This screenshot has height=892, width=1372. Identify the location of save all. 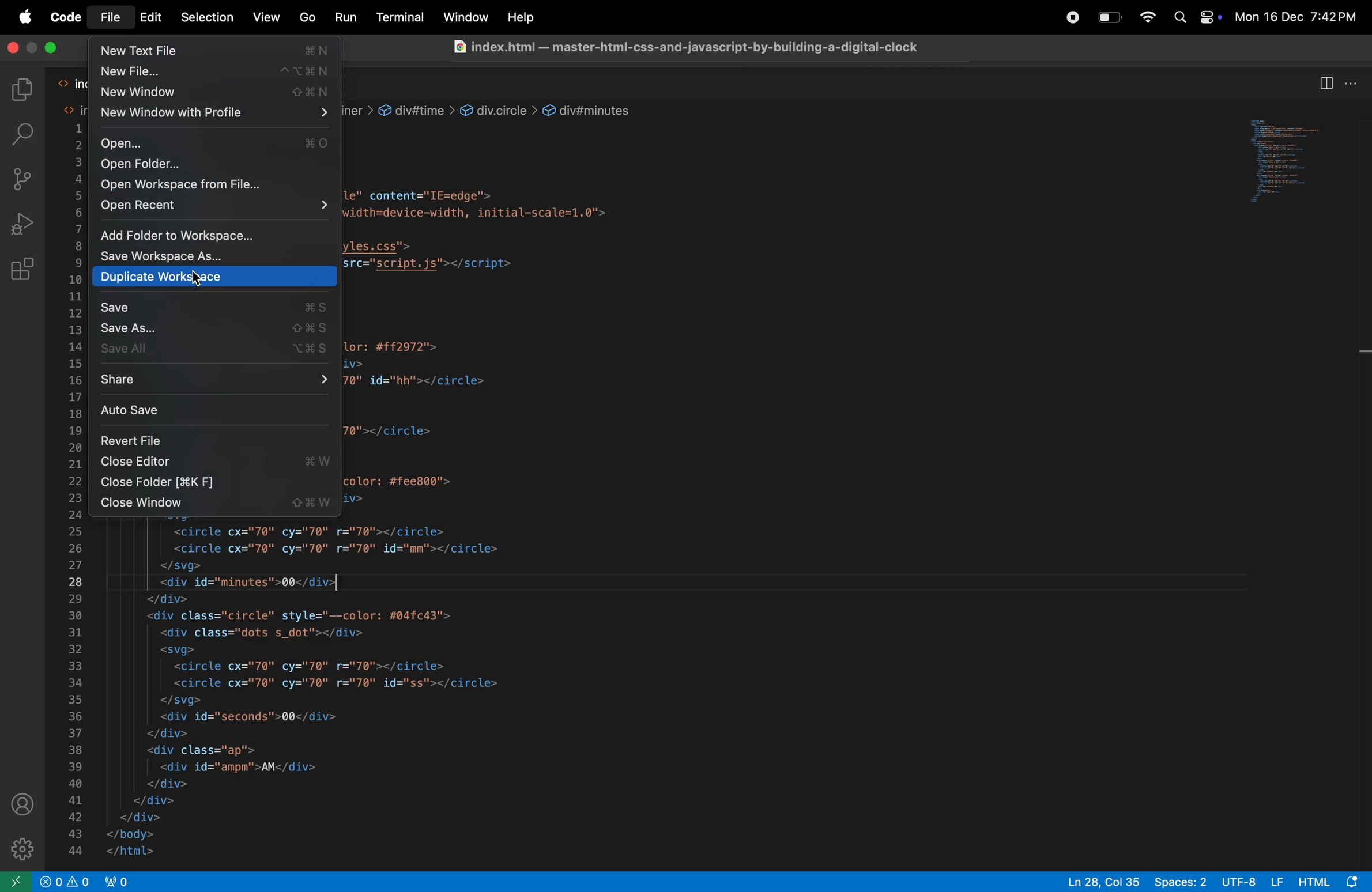
(214, 350).